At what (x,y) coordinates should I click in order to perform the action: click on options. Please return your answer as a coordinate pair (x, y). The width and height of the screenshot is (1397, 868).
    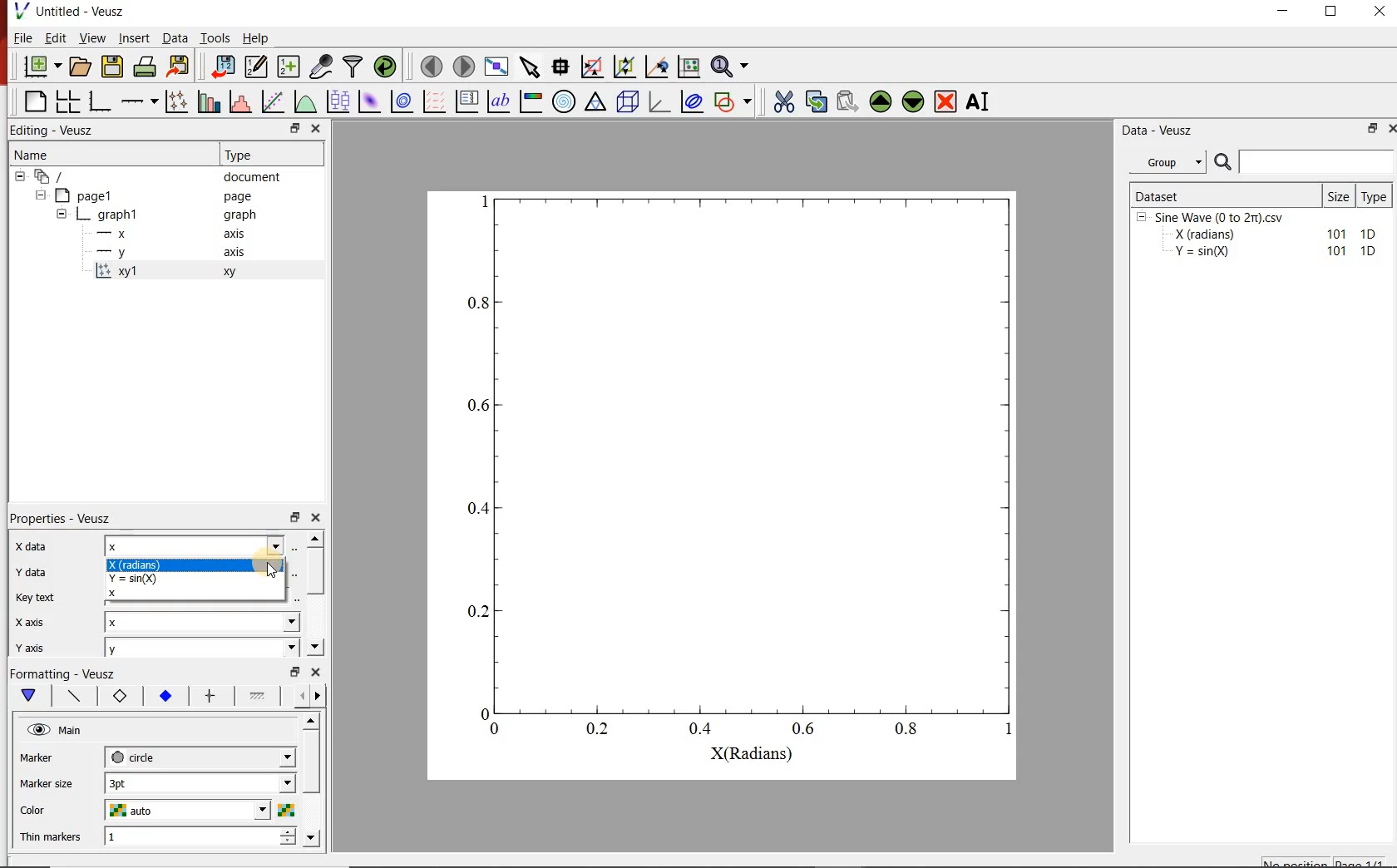
    Looking at the image, I should click on (71, 694).